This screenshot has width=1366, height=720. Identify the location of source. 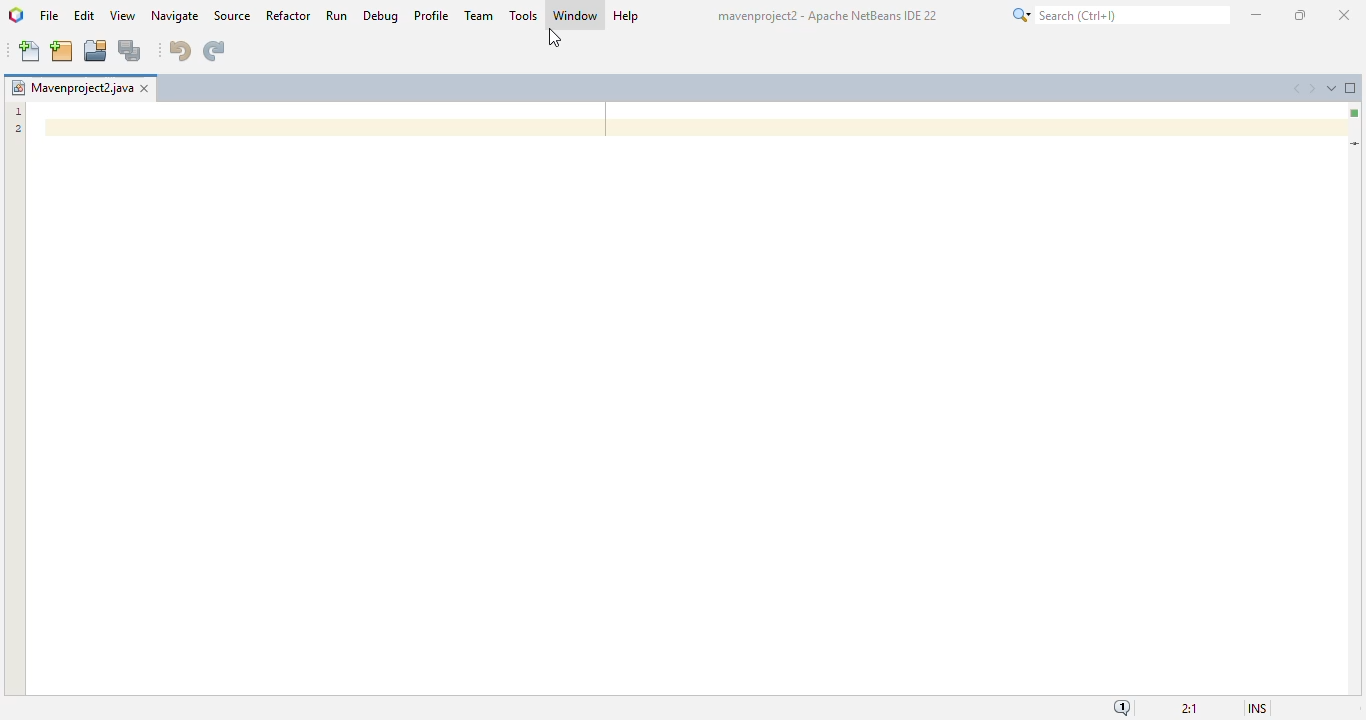
(232, 16).